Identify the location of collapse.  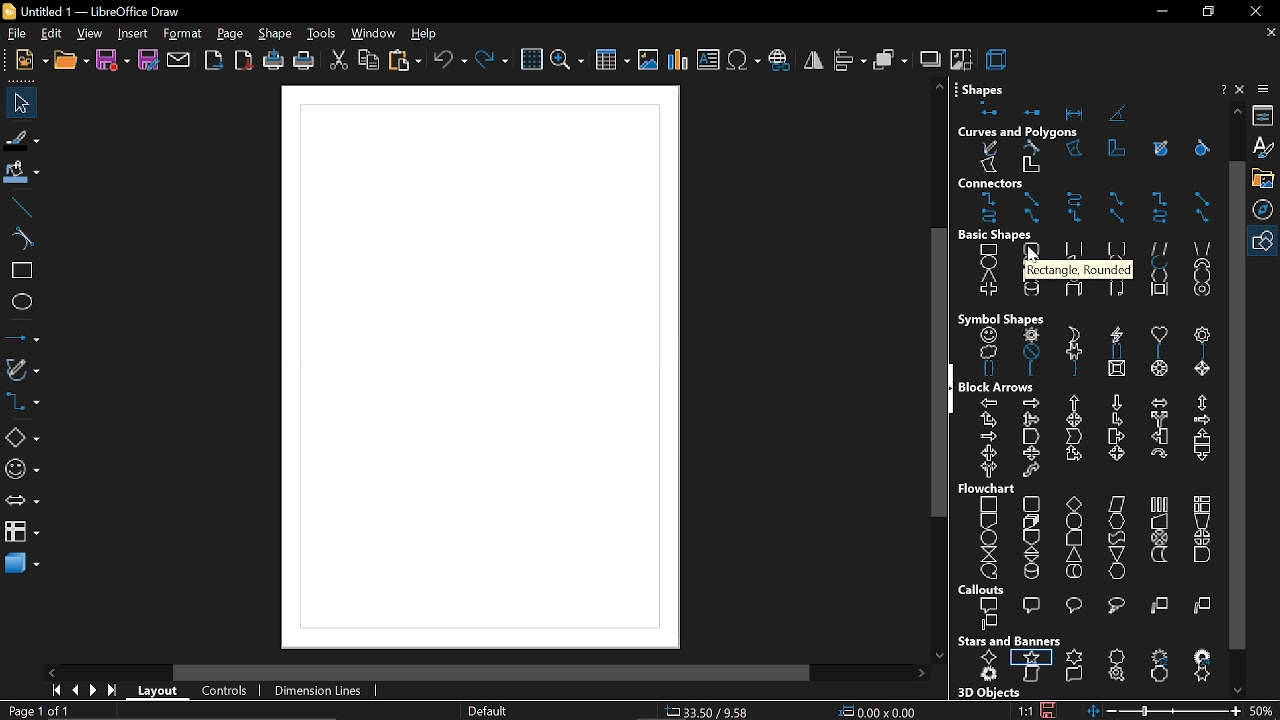
(952, 390).